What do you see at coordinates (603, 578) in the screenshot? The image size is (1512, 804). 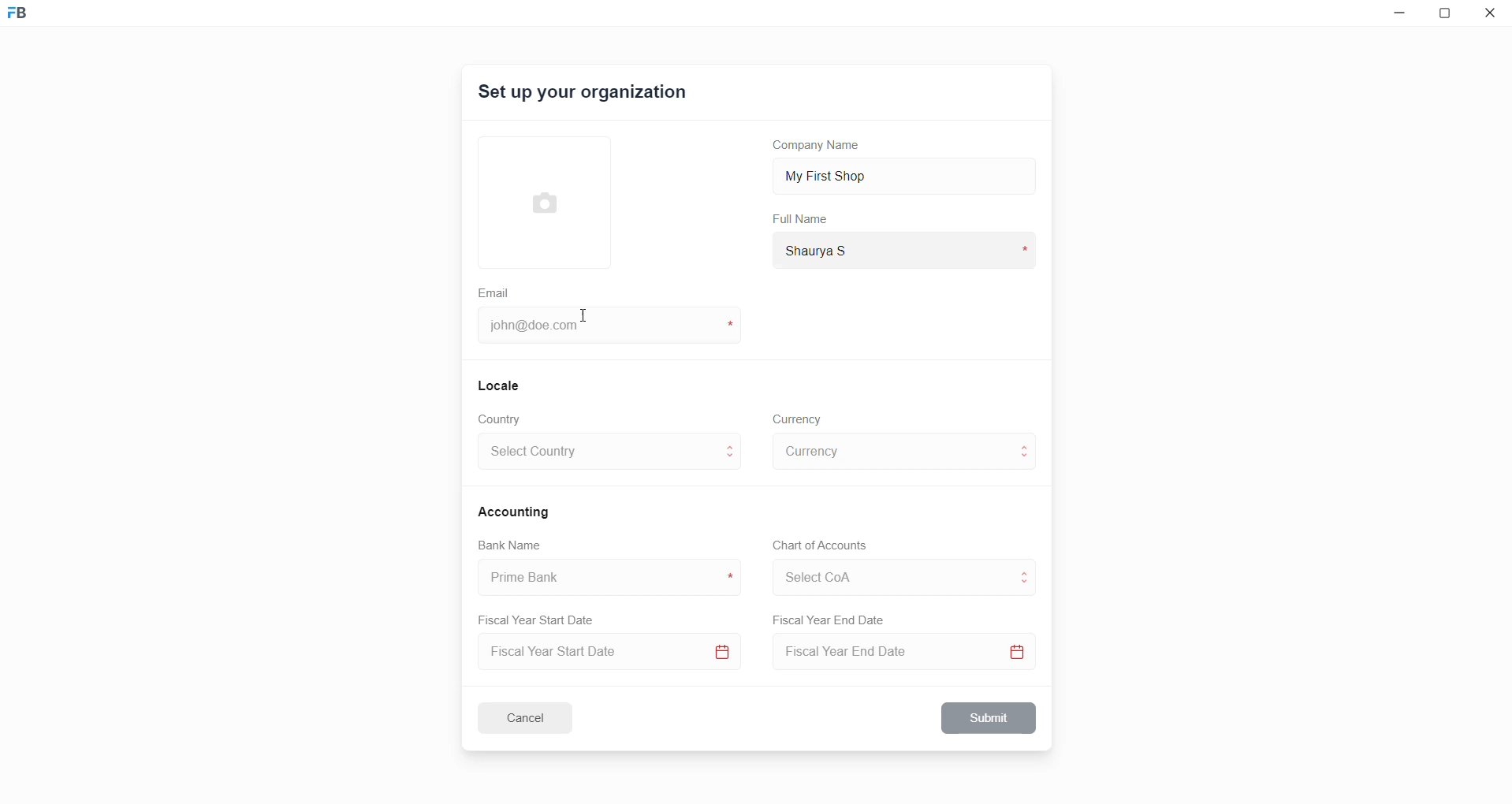 I see `bank name input box` at bounding box center [603, 578].